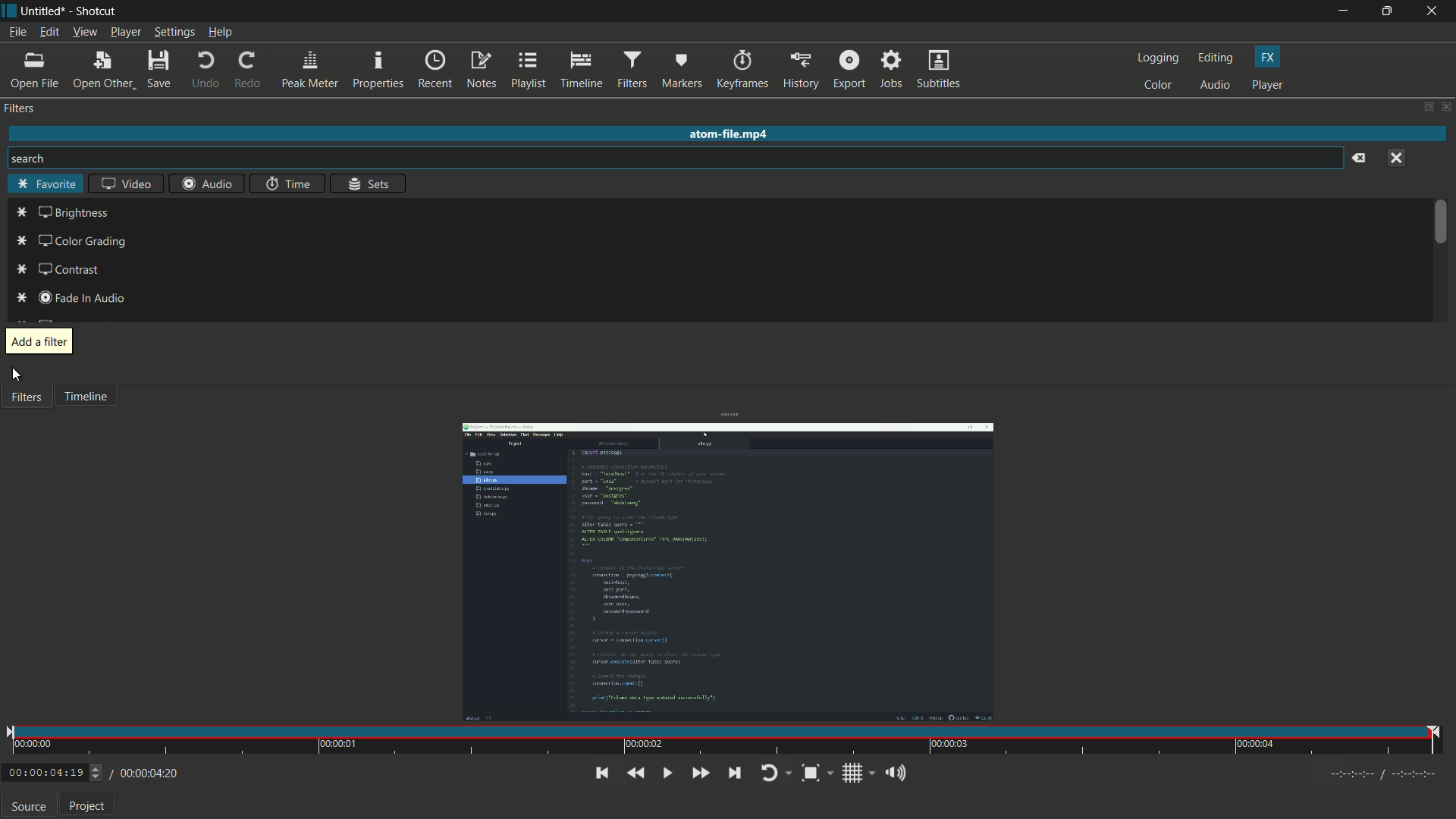 The width and height of the screenshot is (1456, 819). I want to click on open other, so click(102, 73).